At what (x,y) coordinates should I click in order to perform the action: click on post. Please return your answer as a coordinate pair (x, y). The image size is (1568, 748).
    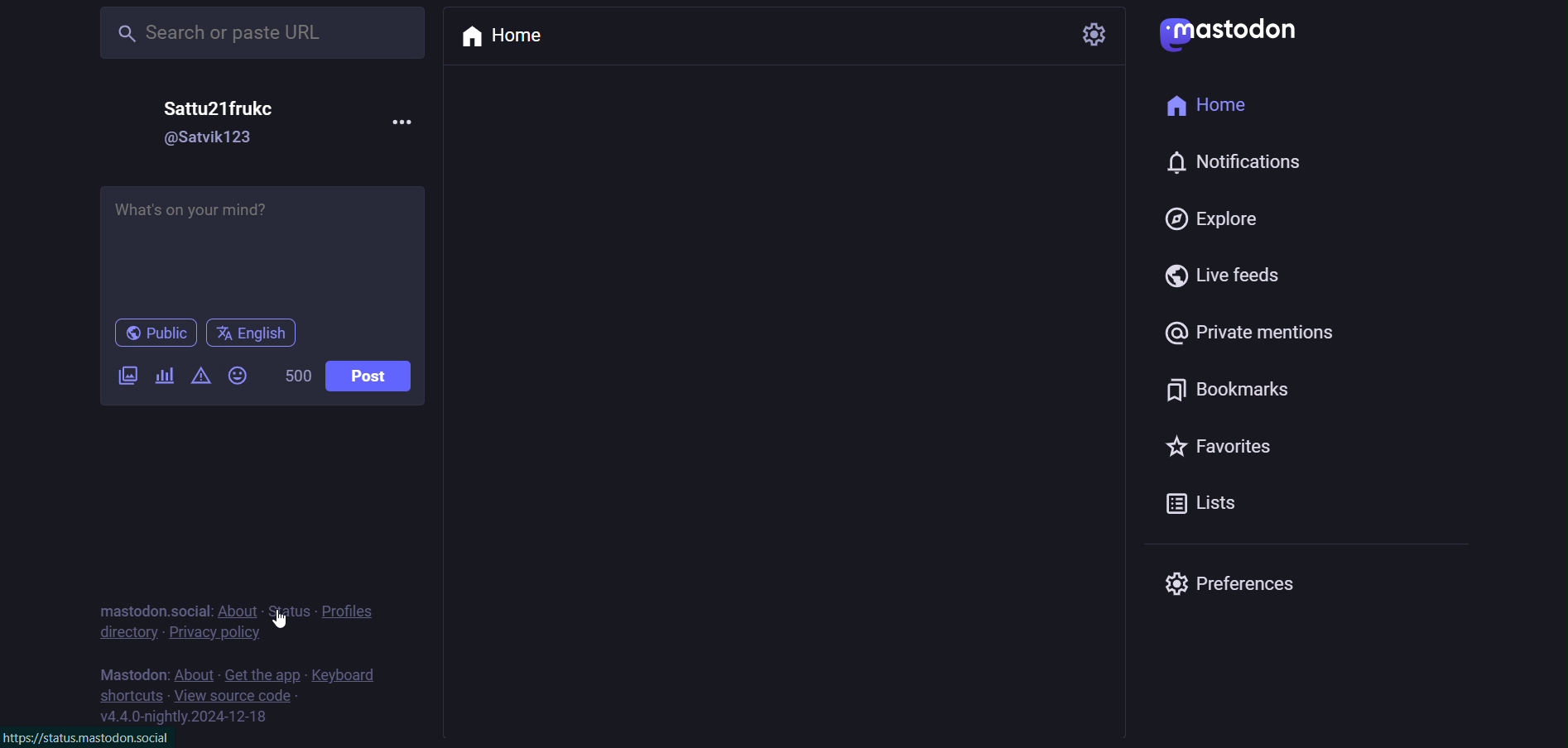
    Looking at the image, I should click on (368, 375).